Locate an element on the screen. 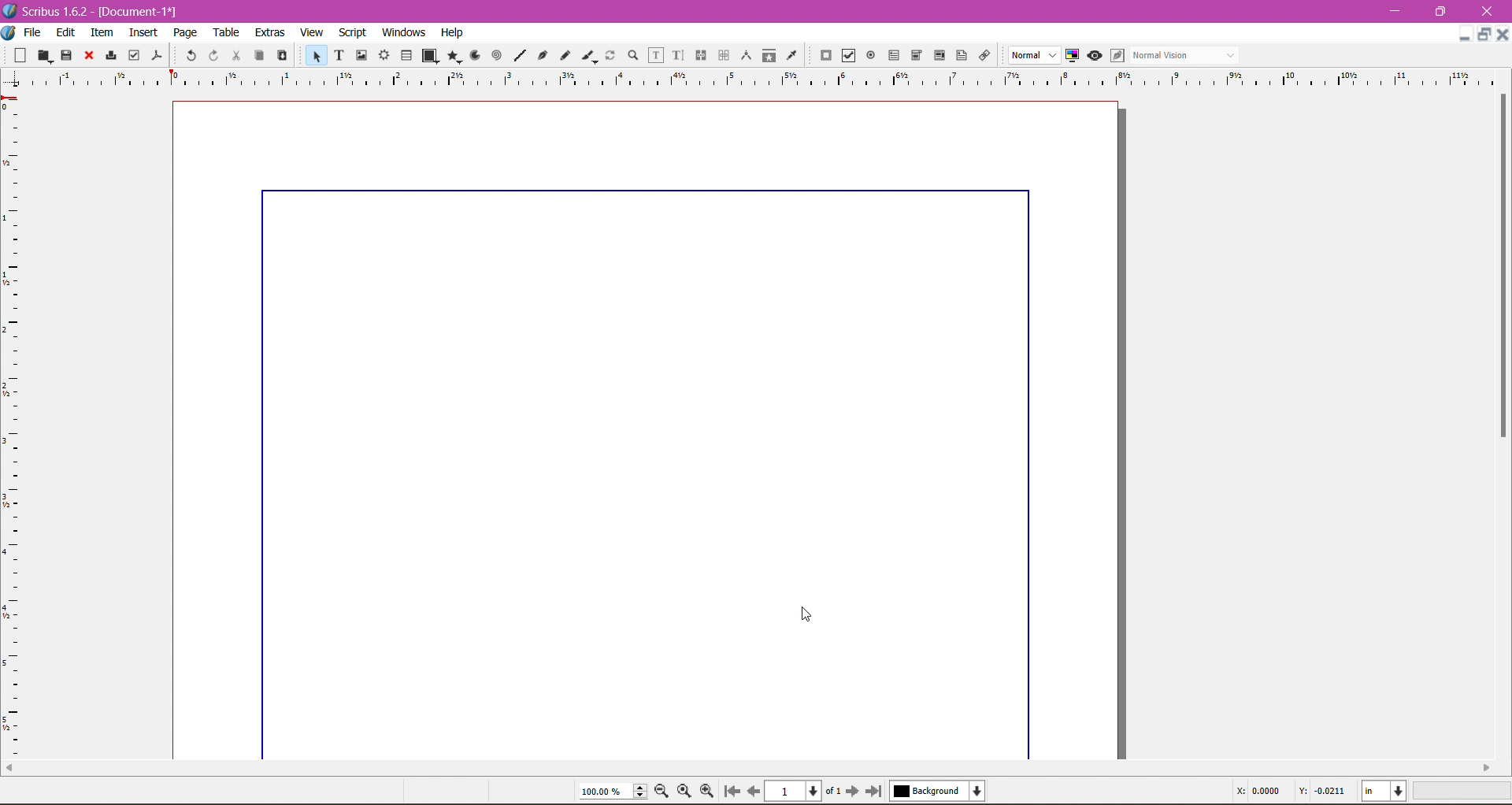 The image size is (1512, 805). Table is located at coordinates (407, 54).